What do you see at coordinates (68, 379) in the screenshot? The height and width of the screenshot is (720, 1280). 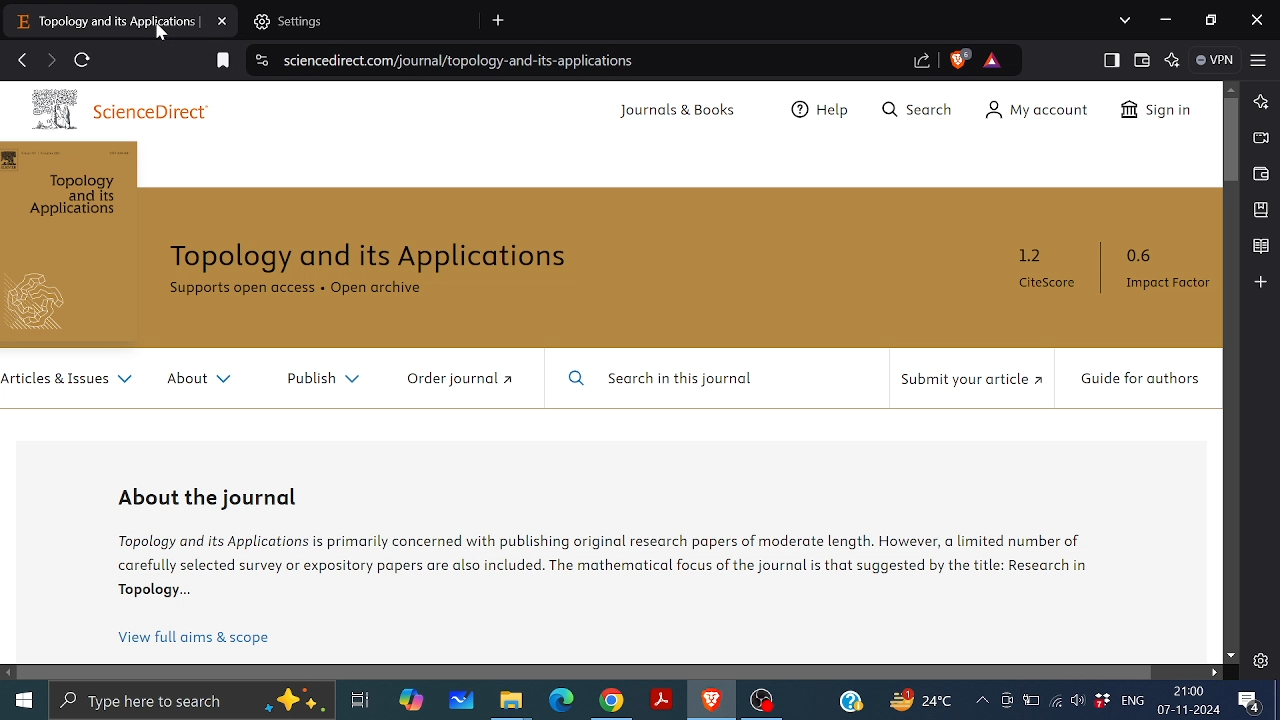 I see `Articles & Issues ` at bounding box center [68, 379].